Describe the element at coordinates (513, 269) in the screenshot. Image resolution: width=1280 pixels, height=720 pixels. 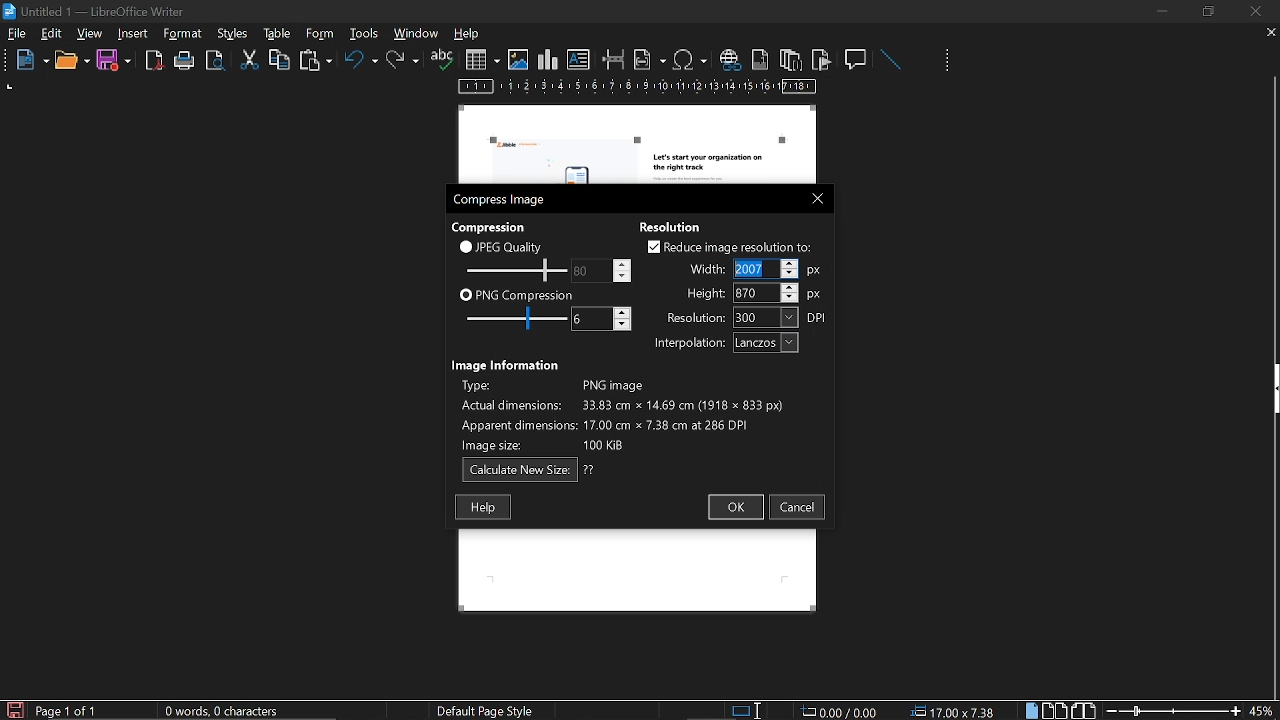
I see `jpeg quality scale` at that location.